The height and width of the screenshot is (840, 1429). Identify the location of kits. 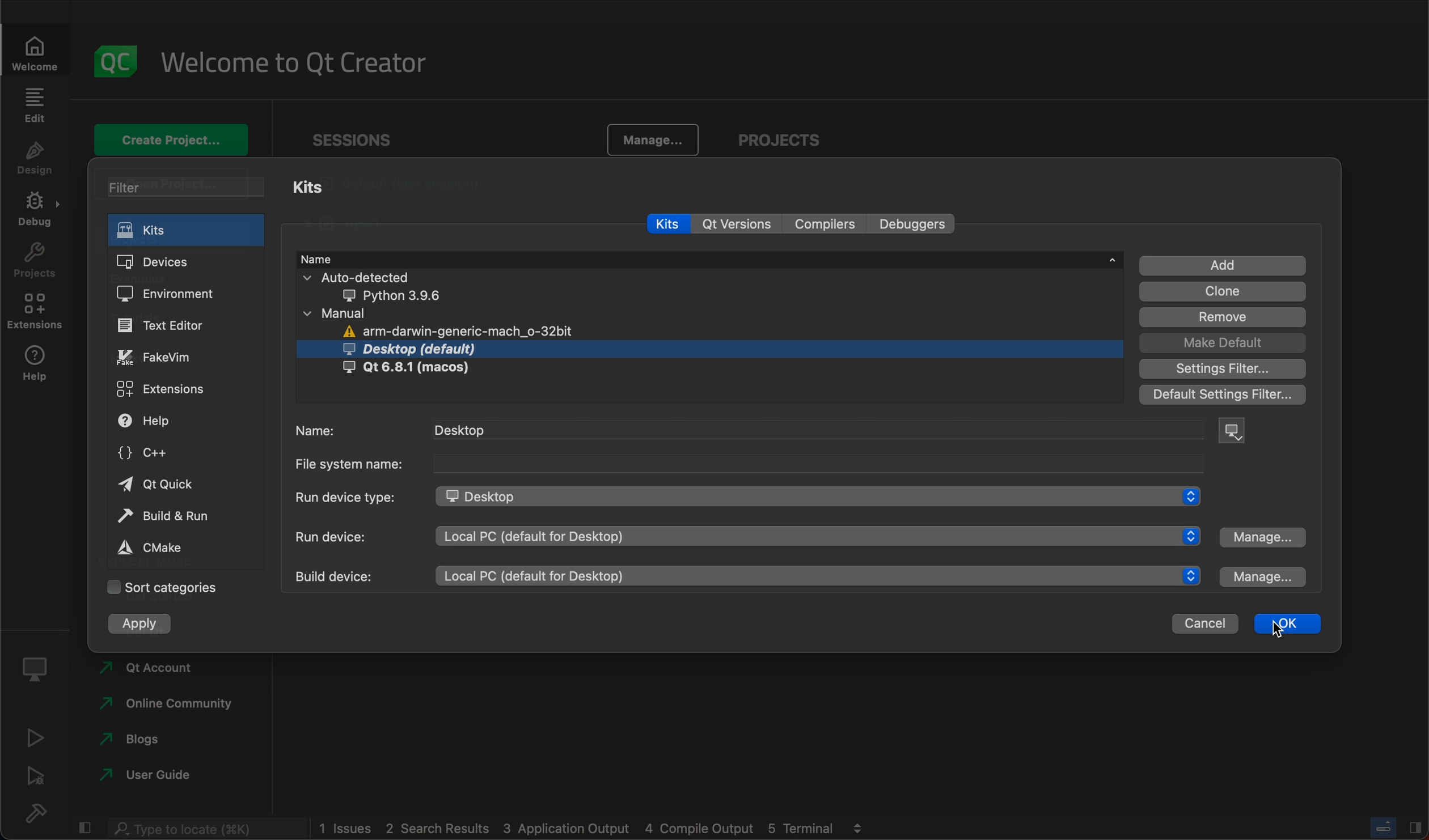
(189, 232).